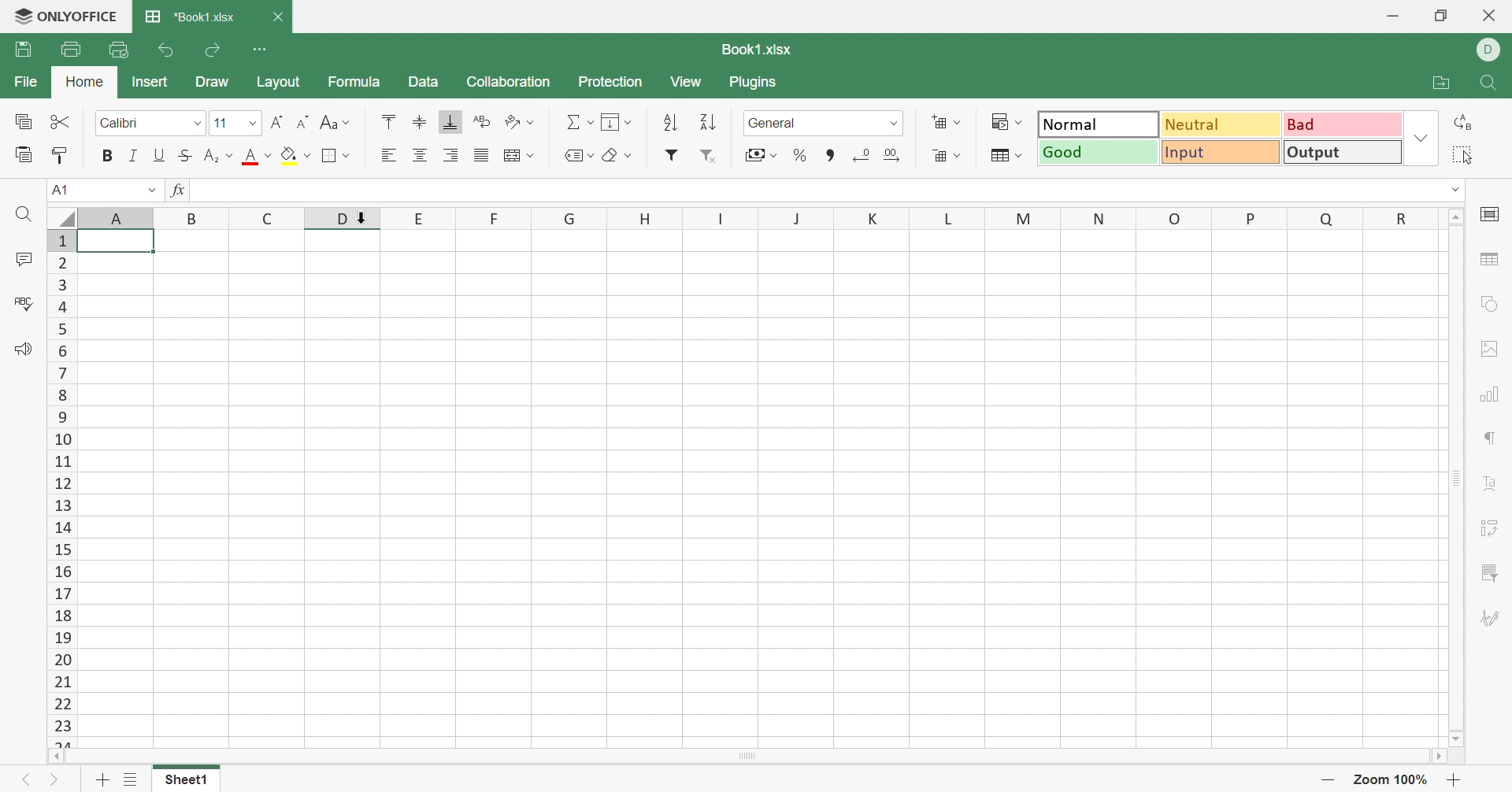 This screenshot has width=1512, height=792. Describe the element at coordinates (187, 156) in the screenshot. I see `Strikethrough` at that location.